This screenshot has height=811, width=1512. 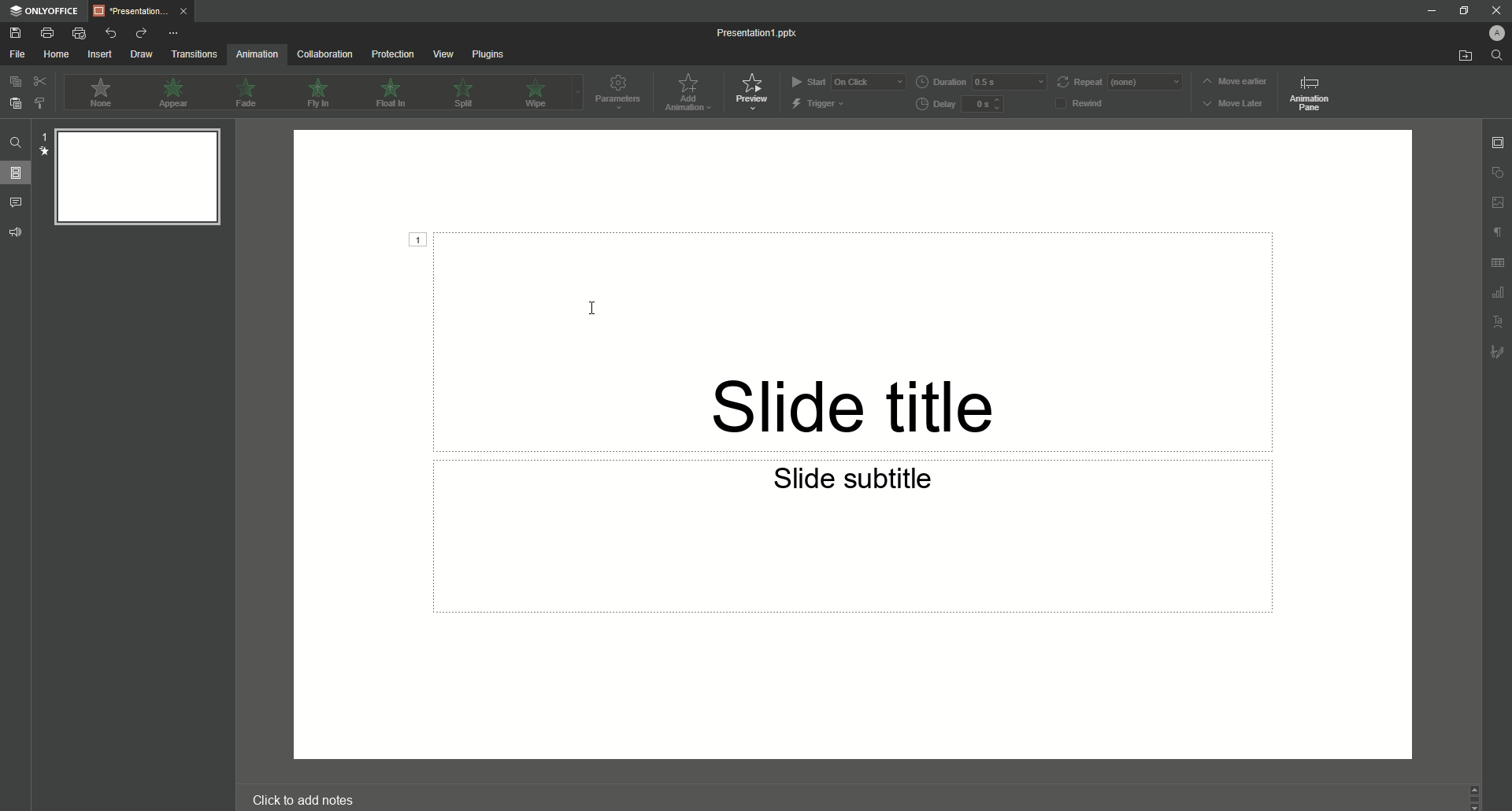 What do you see at coordinates (101, 54) in the screenshot?
I see `Insert` at bounding box center [101, 54].